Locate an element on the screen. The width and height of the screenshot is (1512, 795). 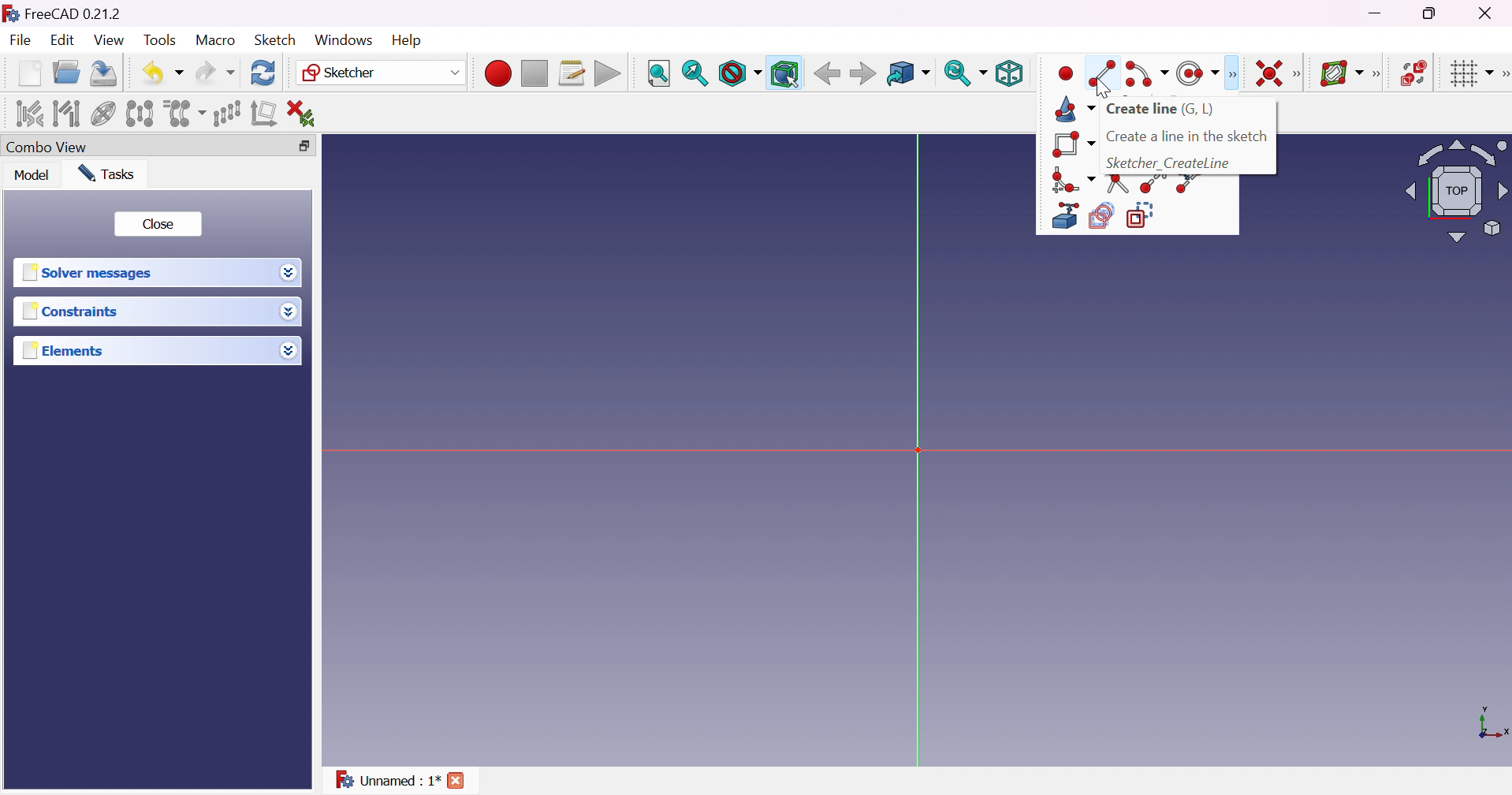
Fit selection is located at coordinates (695, 73).